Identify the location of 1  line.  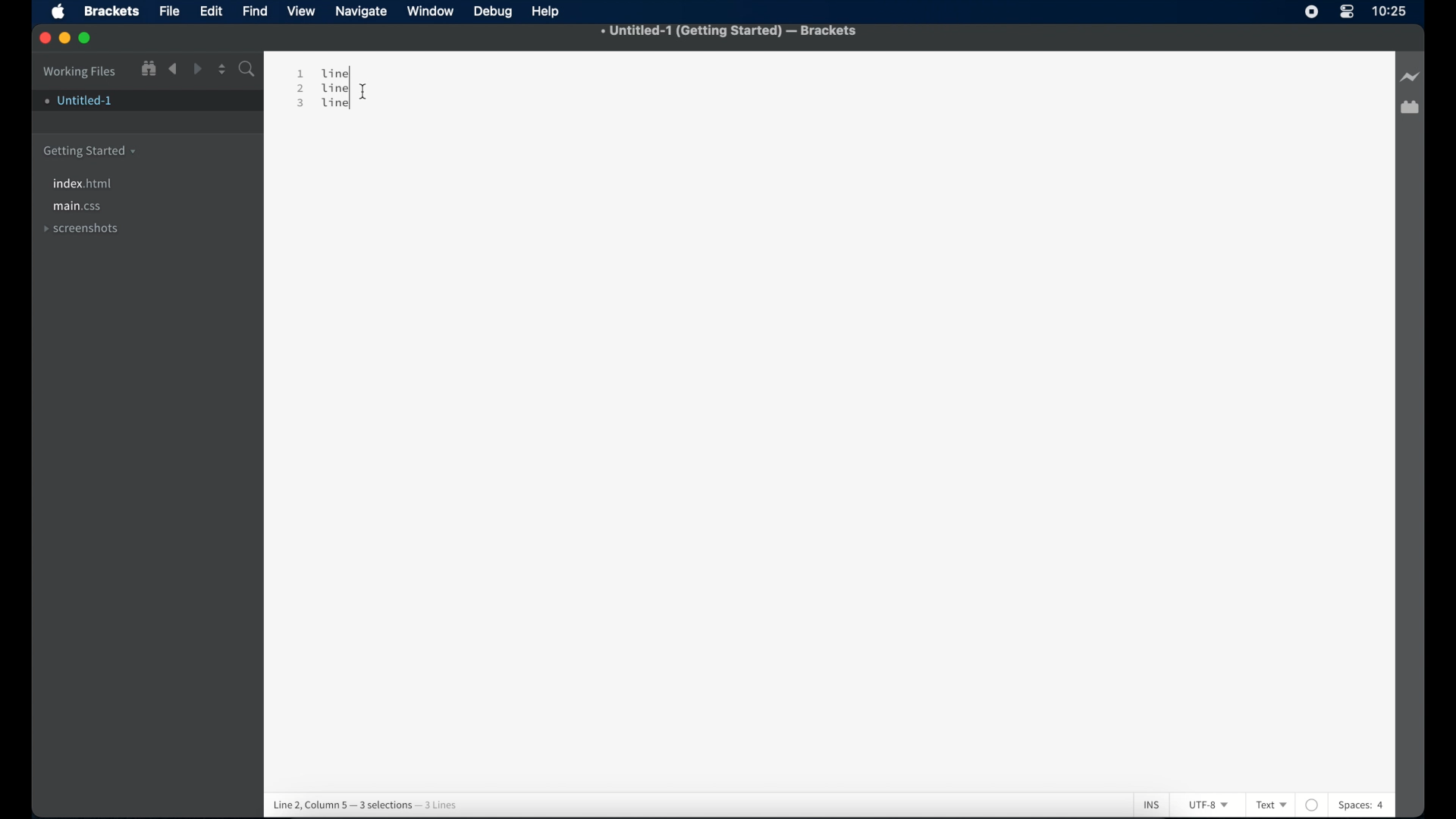
(325, 72).